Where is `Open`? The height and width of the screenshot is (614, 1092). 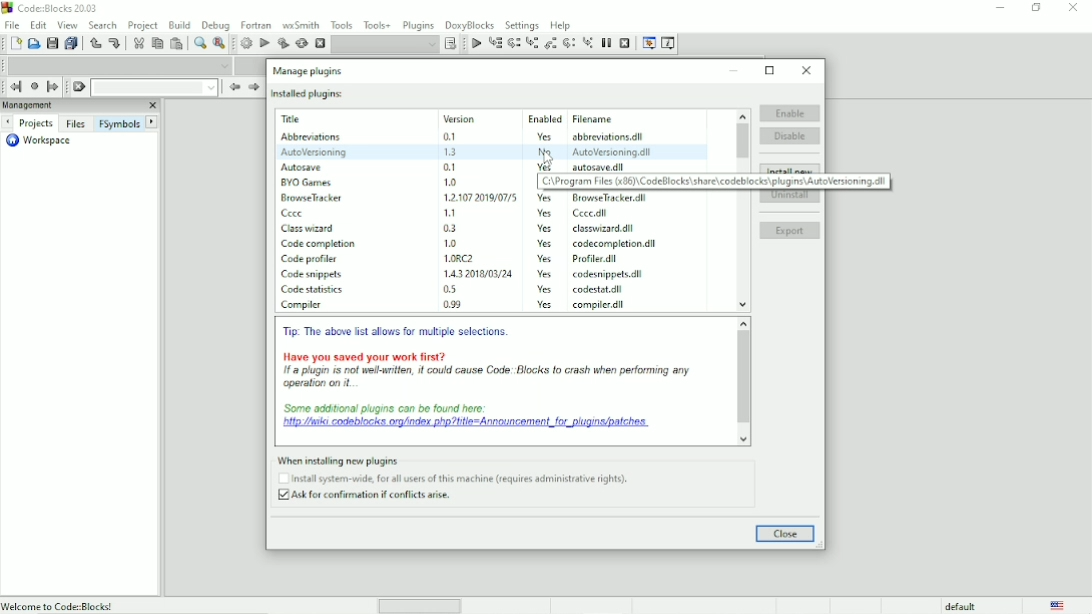 Open is located at coordinates (33, 44).